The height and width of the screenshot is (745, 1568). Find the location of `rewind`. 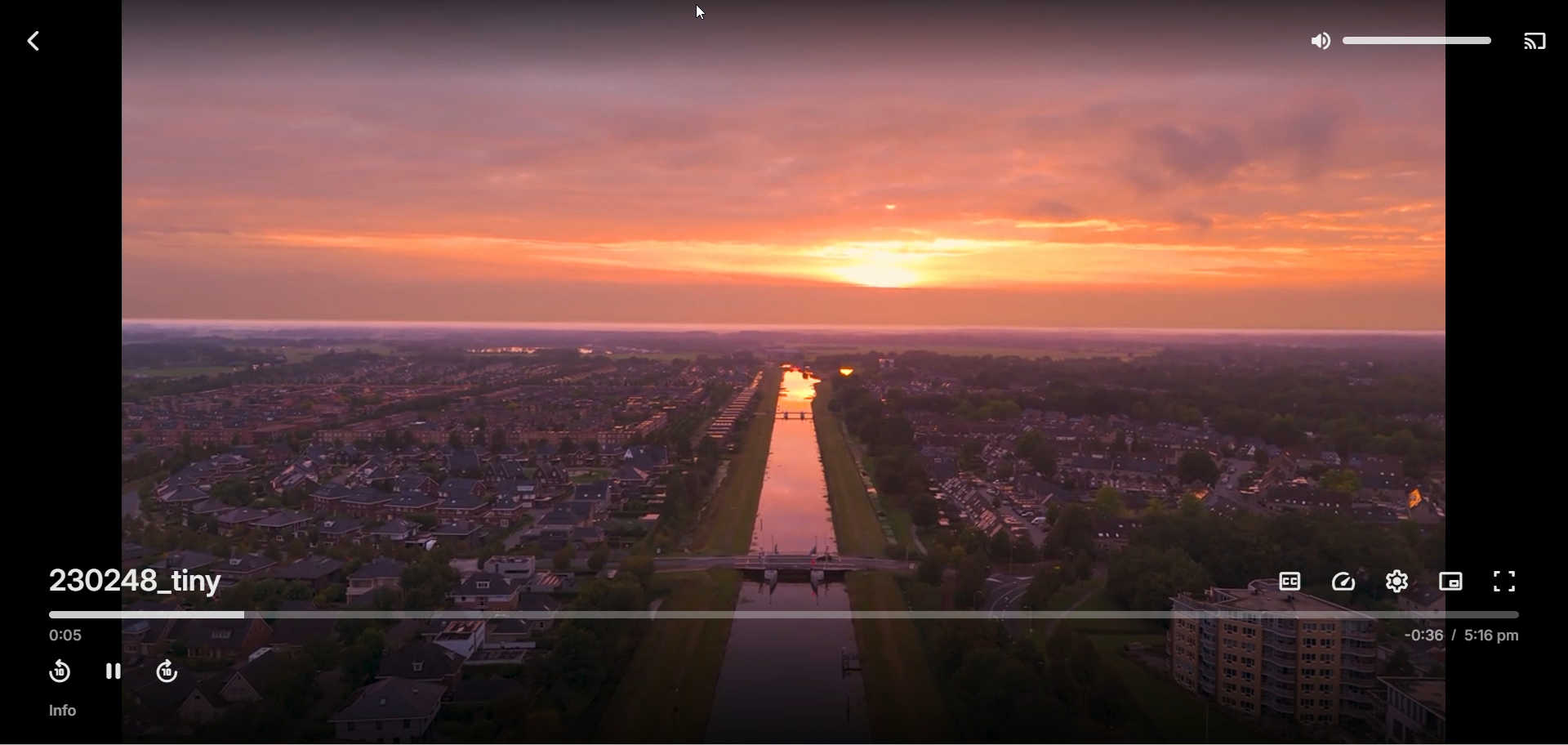

rewind is located at coordinates (56, 672).